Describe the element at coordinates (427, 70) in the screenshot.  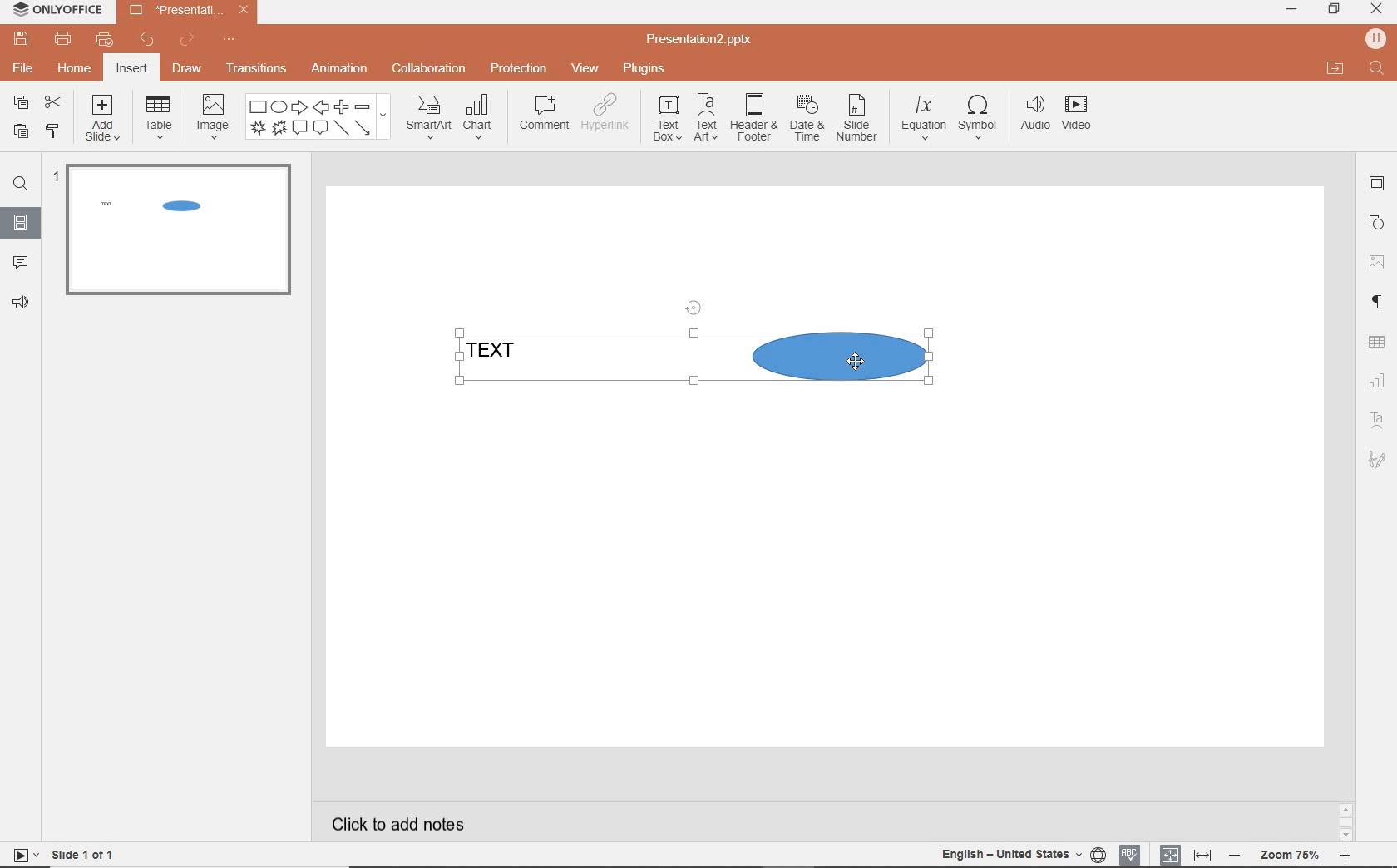
I see `collaboration` at that location.